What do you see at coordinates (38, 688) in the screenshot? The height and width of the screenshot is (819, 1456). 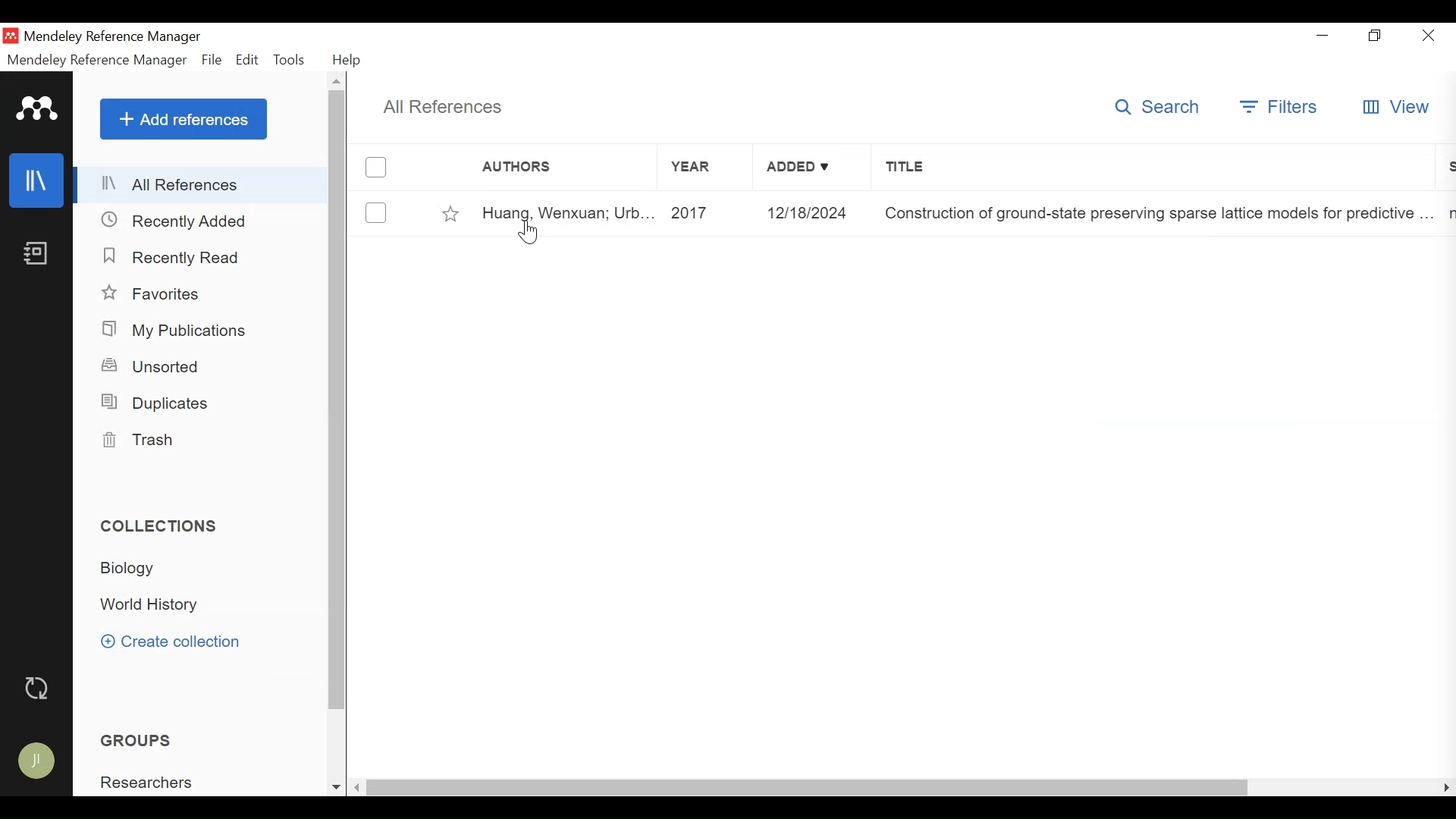 I see `Sync` at bounding box center [38, 688].